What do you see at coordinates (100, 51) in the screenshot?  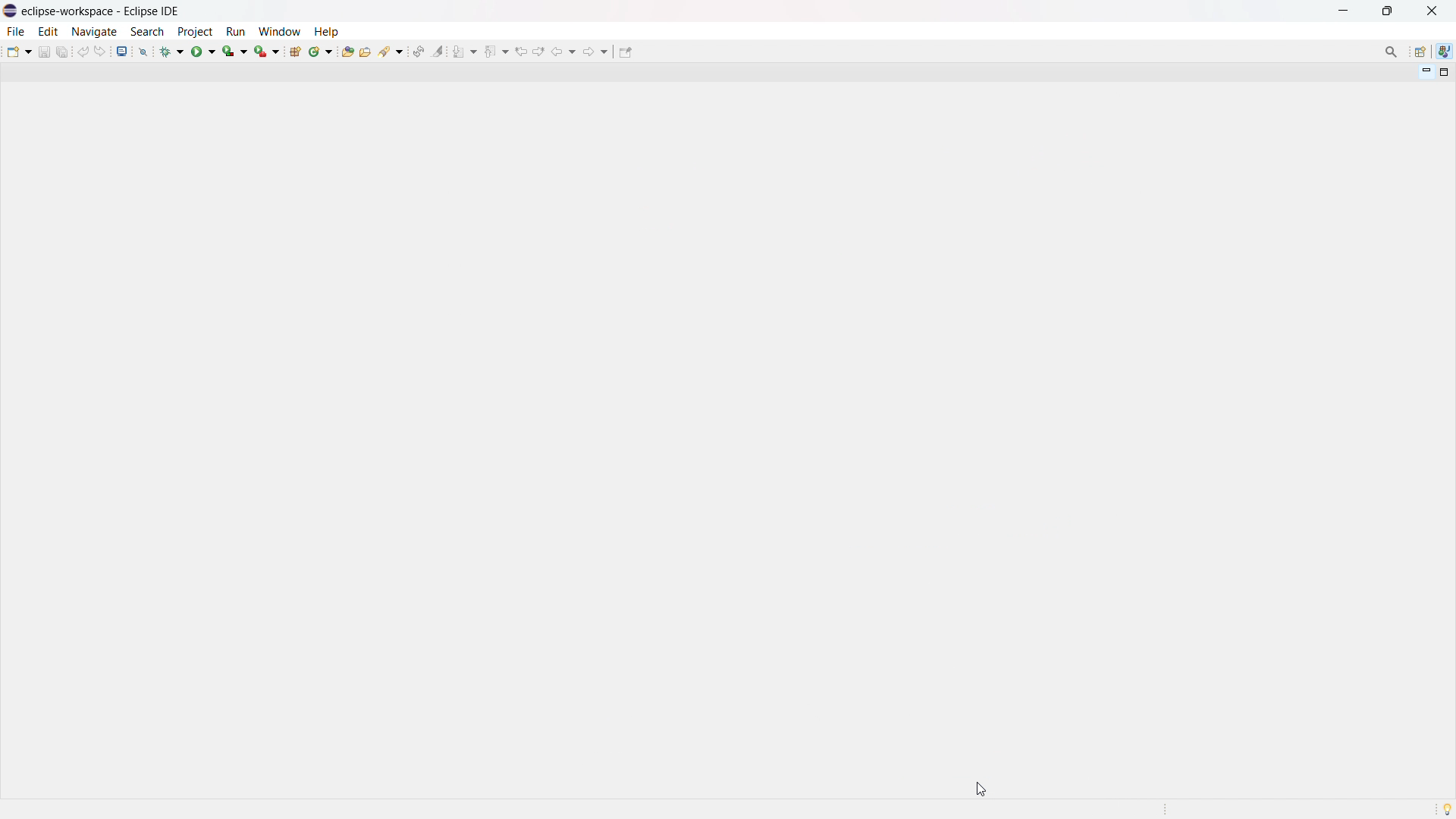 I see `redo` at bounding box center [100, 51].